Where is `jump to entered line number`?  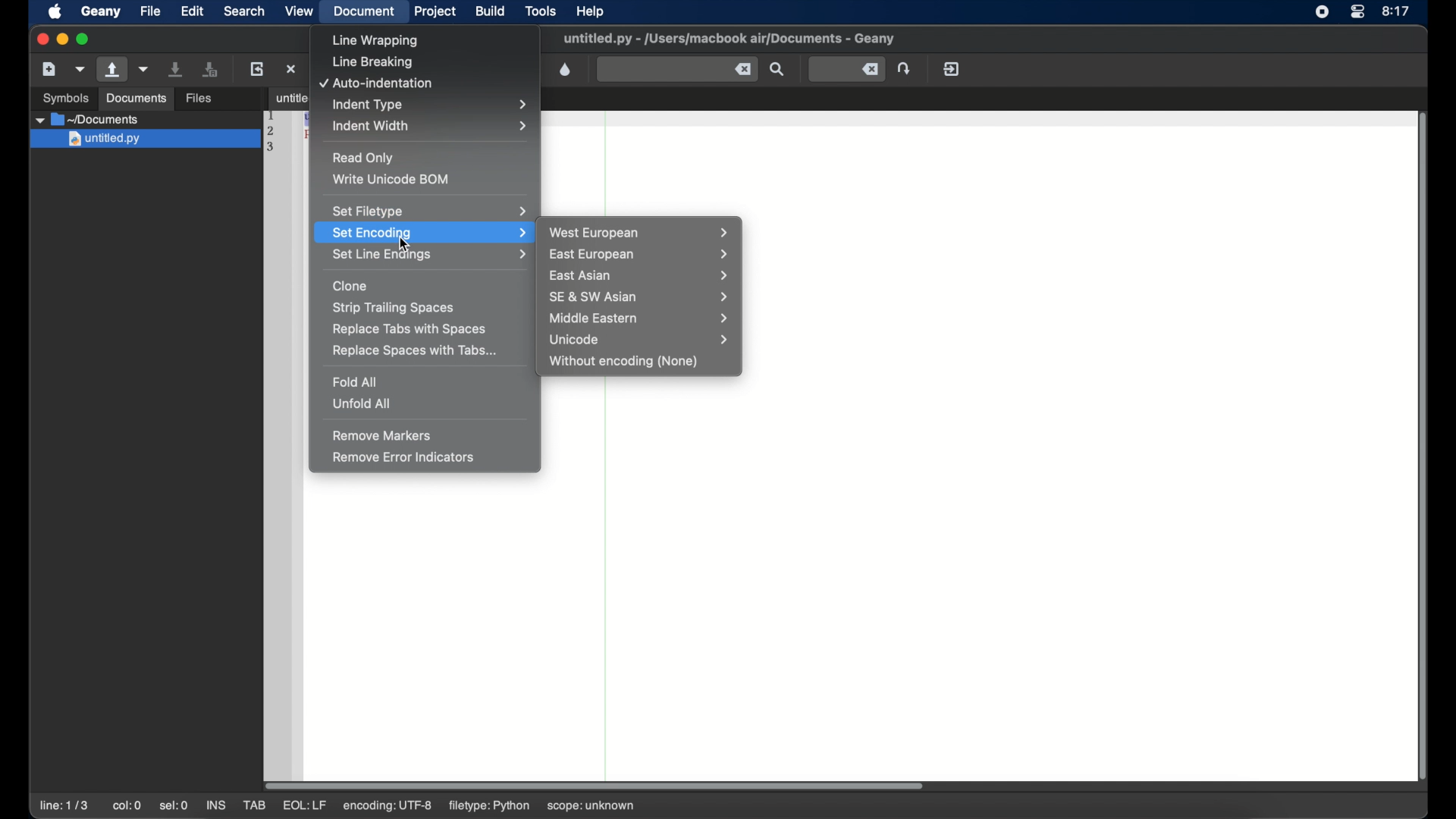 jump to entered line number is located at coordinates (848, 69).